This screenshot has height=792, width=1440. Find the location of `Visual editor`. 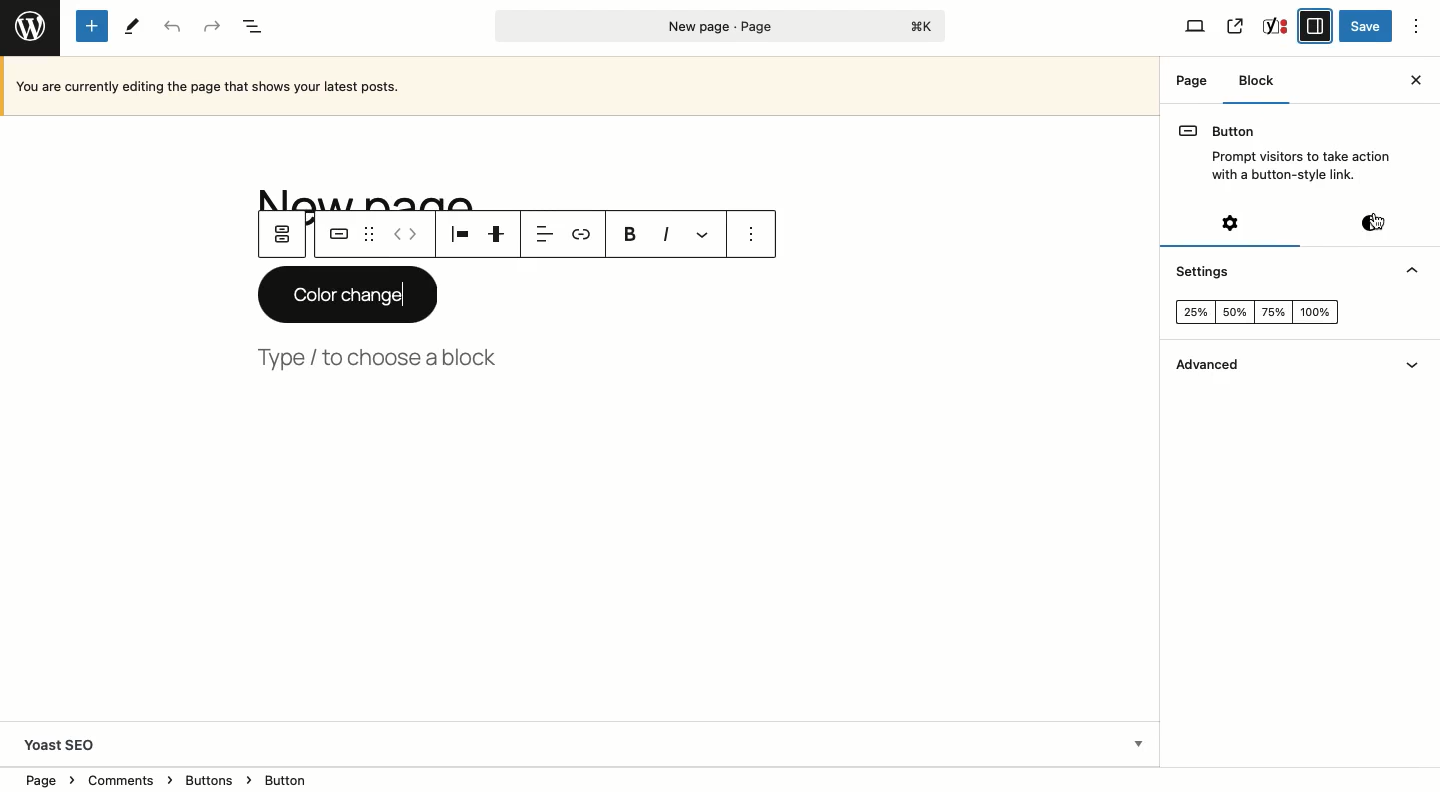

Visual editor is located at coordinates (1374, 221).